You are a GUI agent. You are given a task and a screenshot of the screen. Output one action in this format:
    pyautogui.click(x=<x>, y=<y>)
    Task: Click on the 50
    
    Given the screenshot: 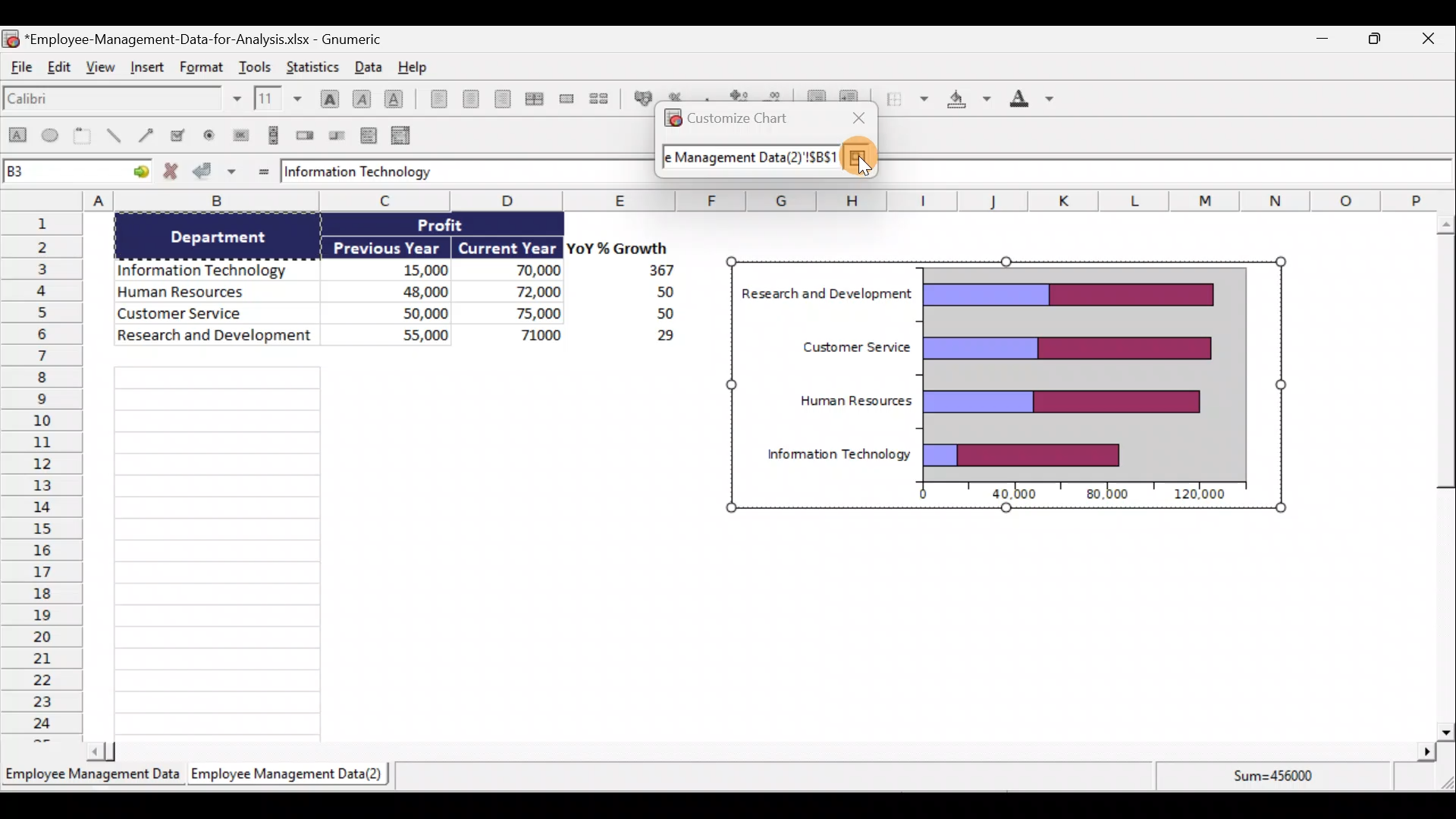 What is the action you would take?
    pyautogui.click(x=654, y=315)
    